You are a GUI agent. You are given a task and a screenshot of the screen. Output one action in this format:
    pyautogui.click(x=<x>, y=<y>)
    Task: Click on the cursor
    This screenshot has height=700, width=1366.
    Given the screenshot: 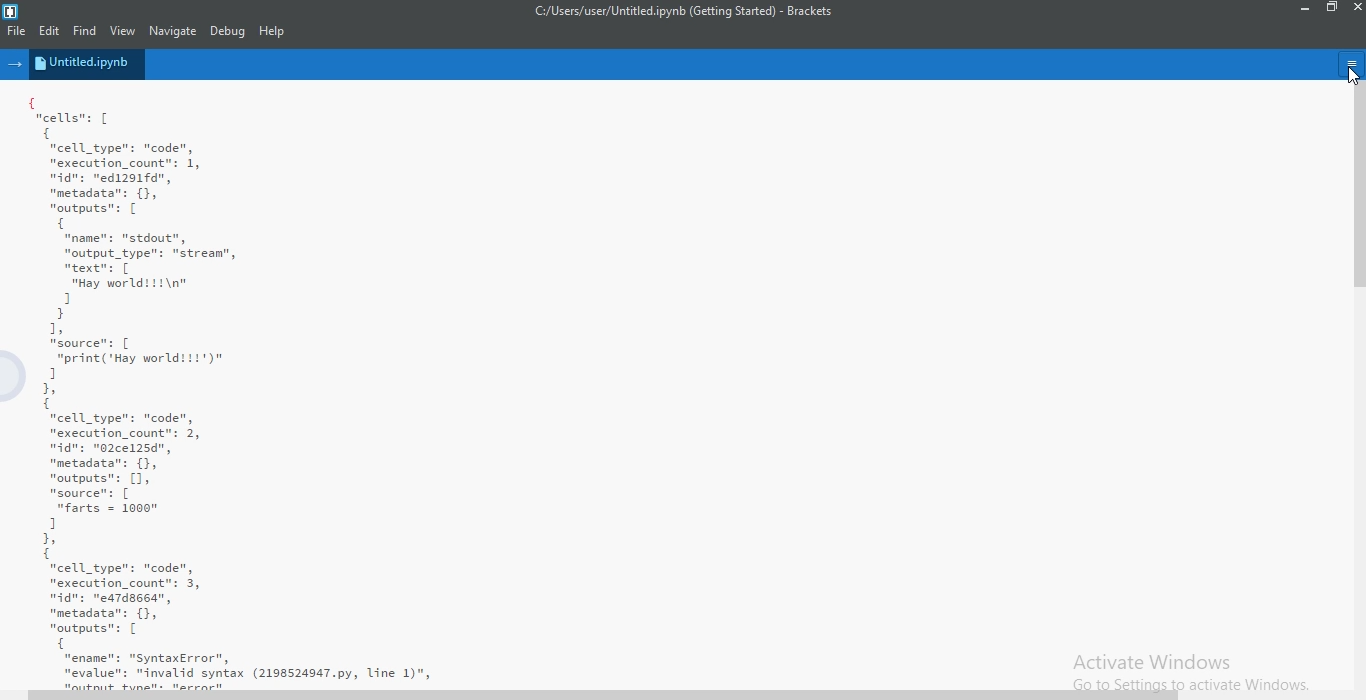 What is the action you would take?
    pyautogui.click(x=1352, y=77)
    